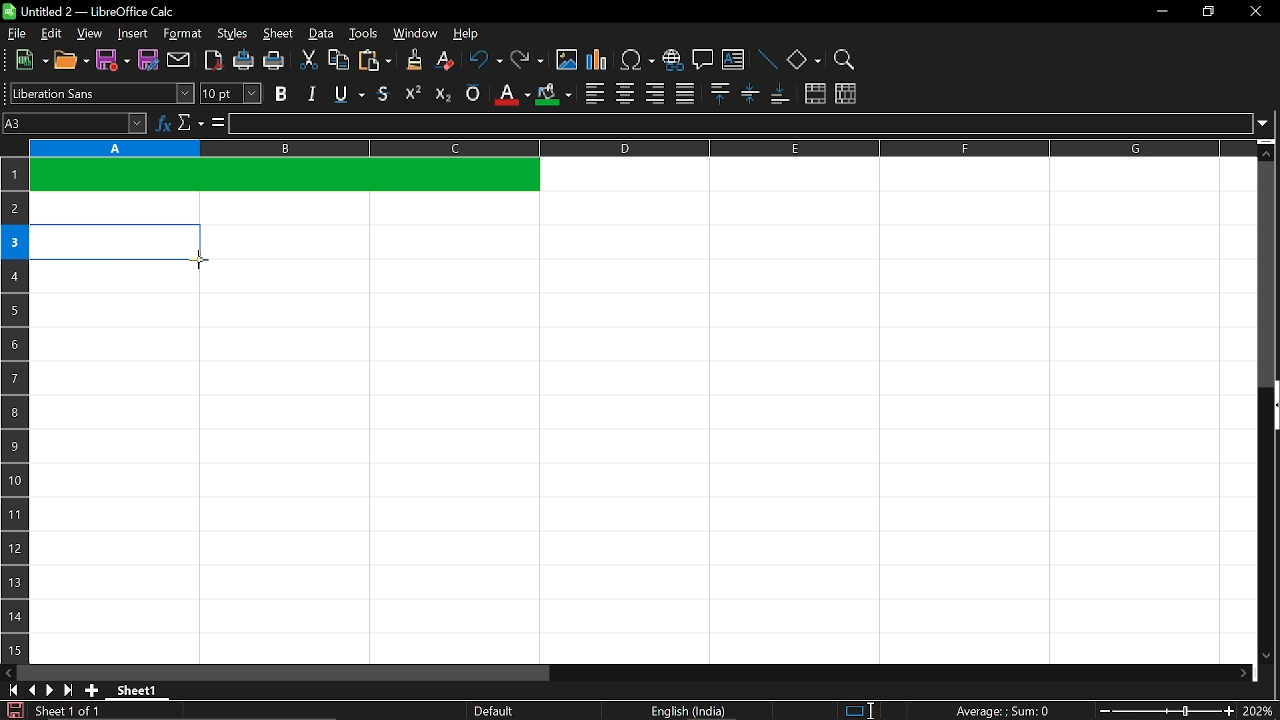  What do you see at coordinates (339, 60) in the screenshot?
I see `copy` at bounding box center [339, 60].